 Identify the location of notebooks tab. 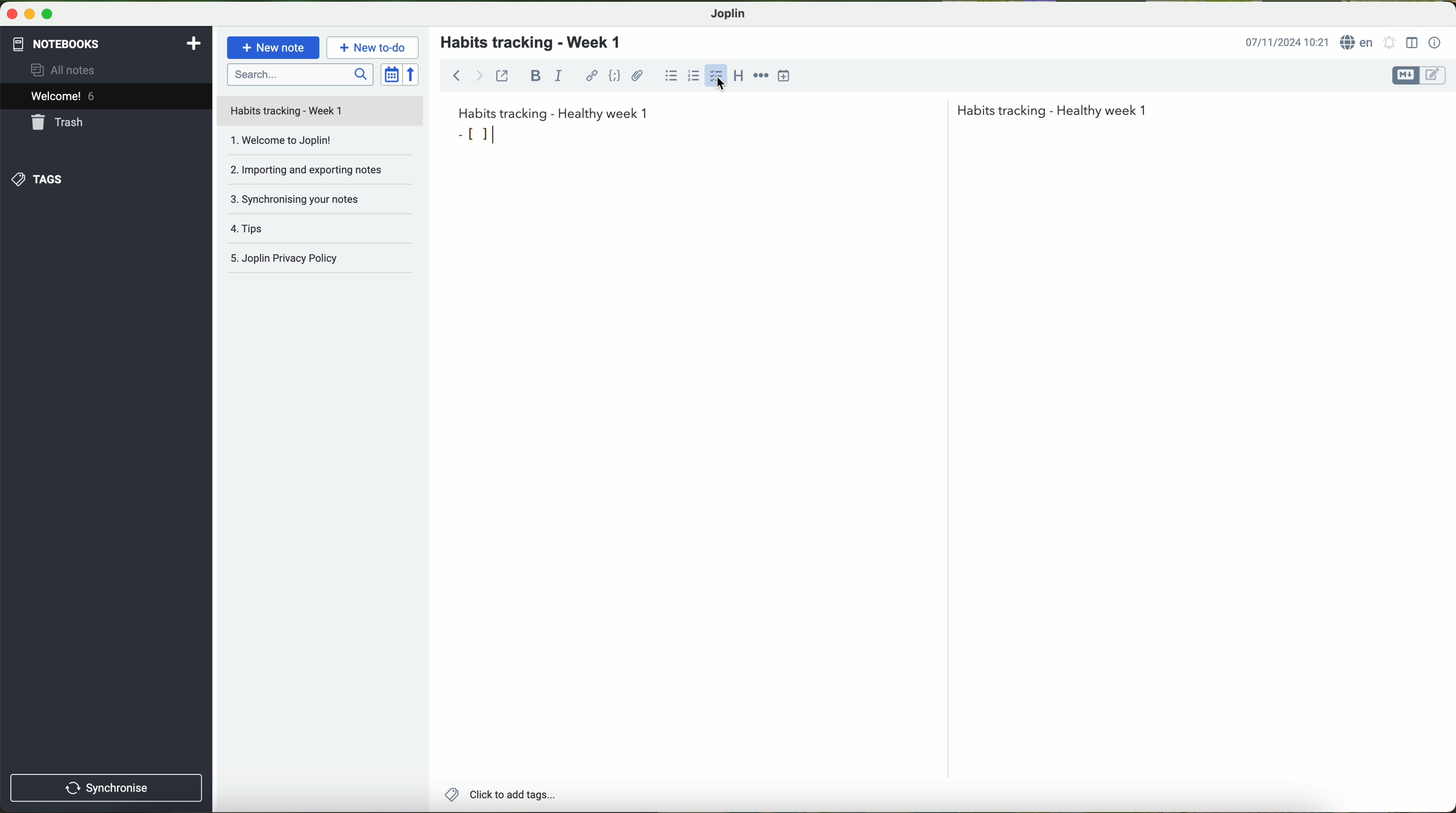
(108, 44).